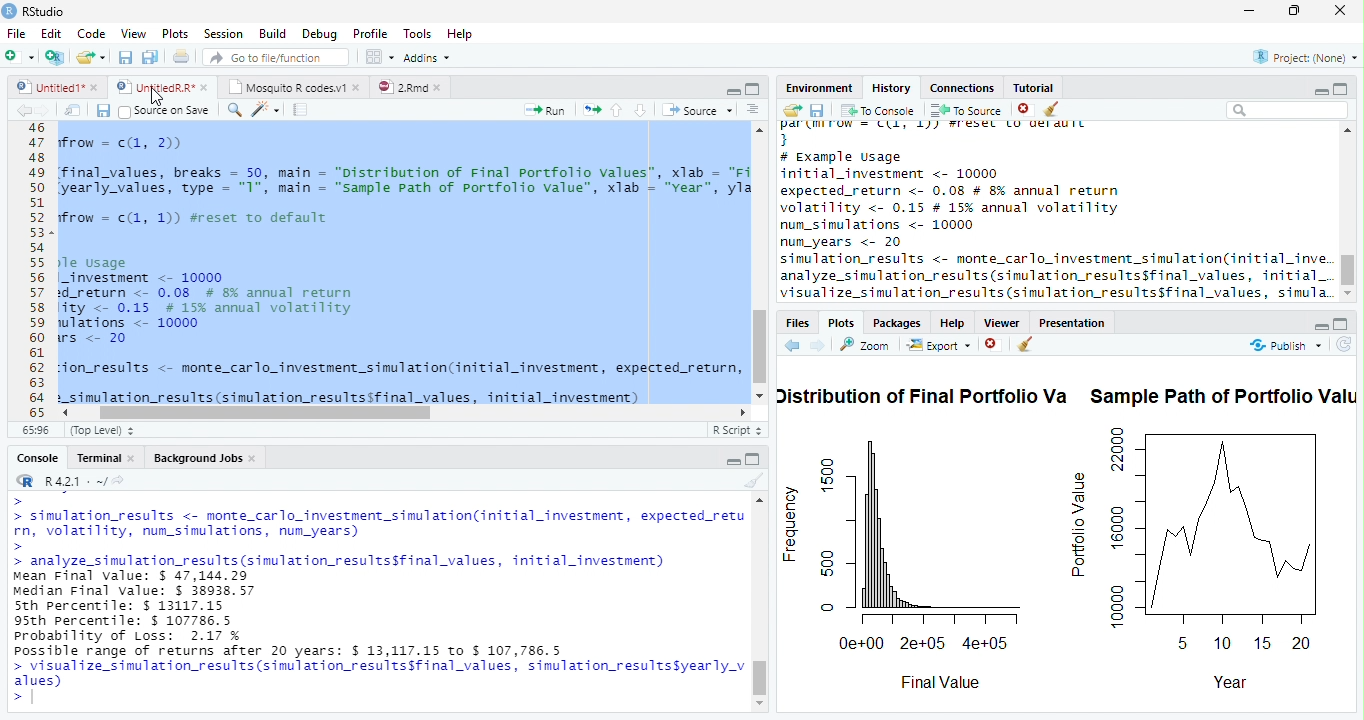  What do you see at coordinates (904, 546) in the screenshot?
I see `Frequency Chart` at bounding box center [904, 546].